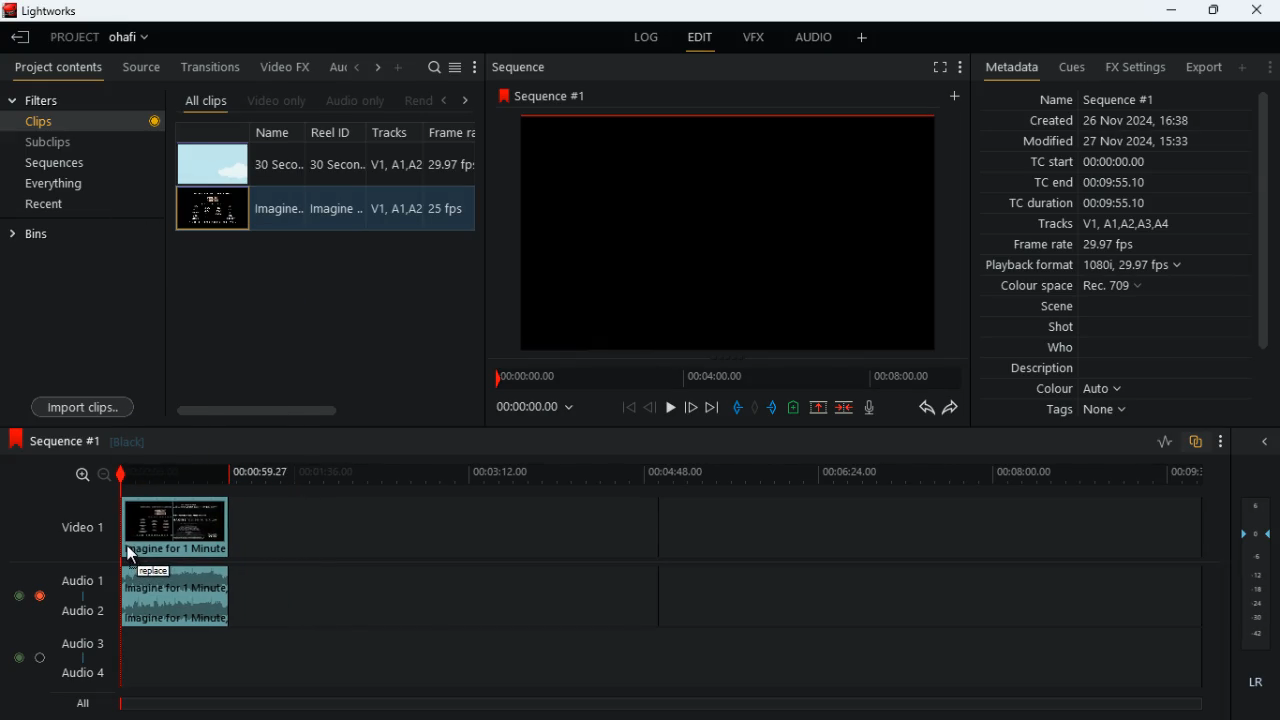  I want to click on clips, so click(85, 123).